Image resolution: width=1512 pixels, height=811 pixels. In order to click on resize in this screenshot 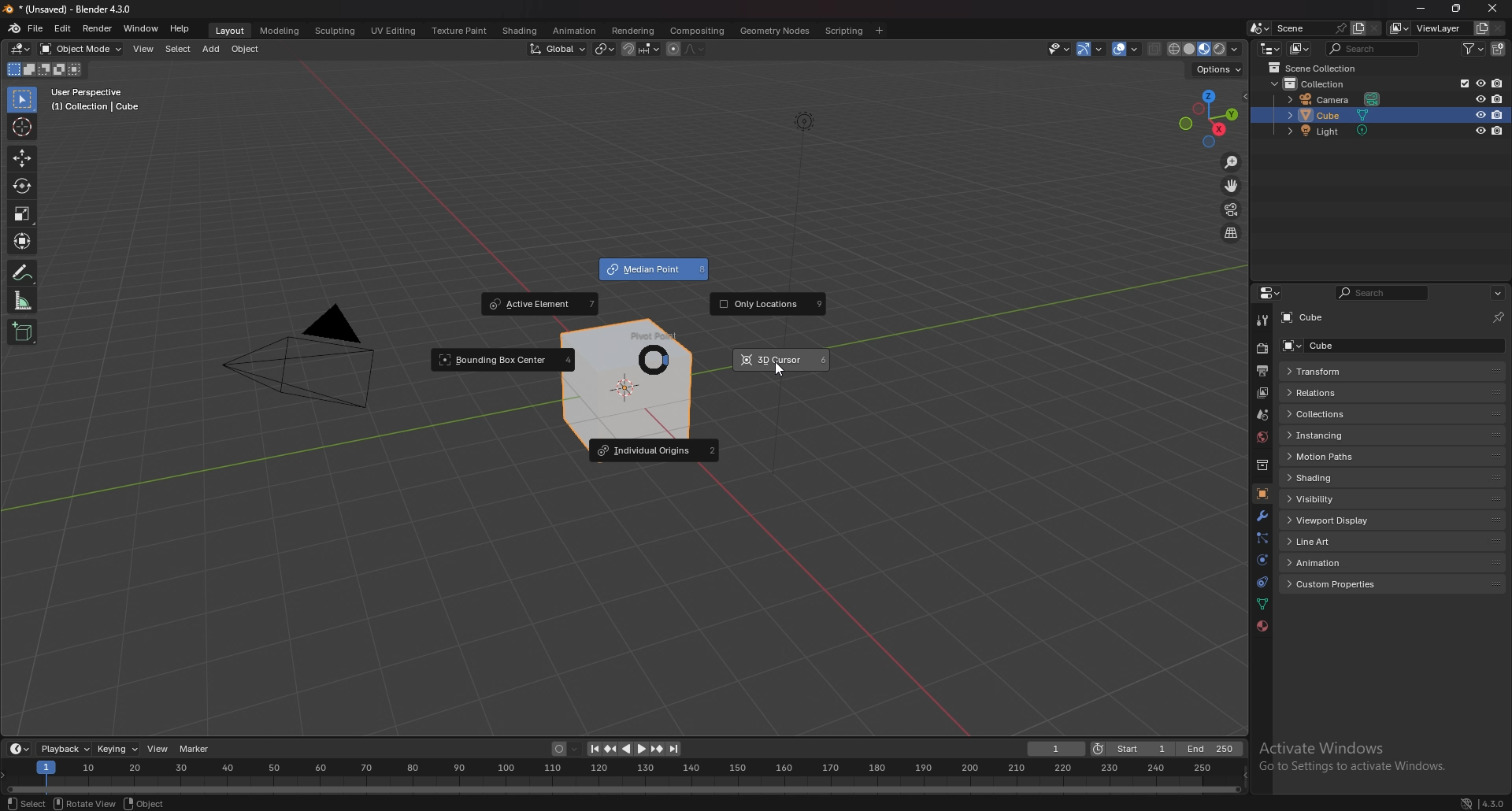, I will do `click(1458, 9)`.